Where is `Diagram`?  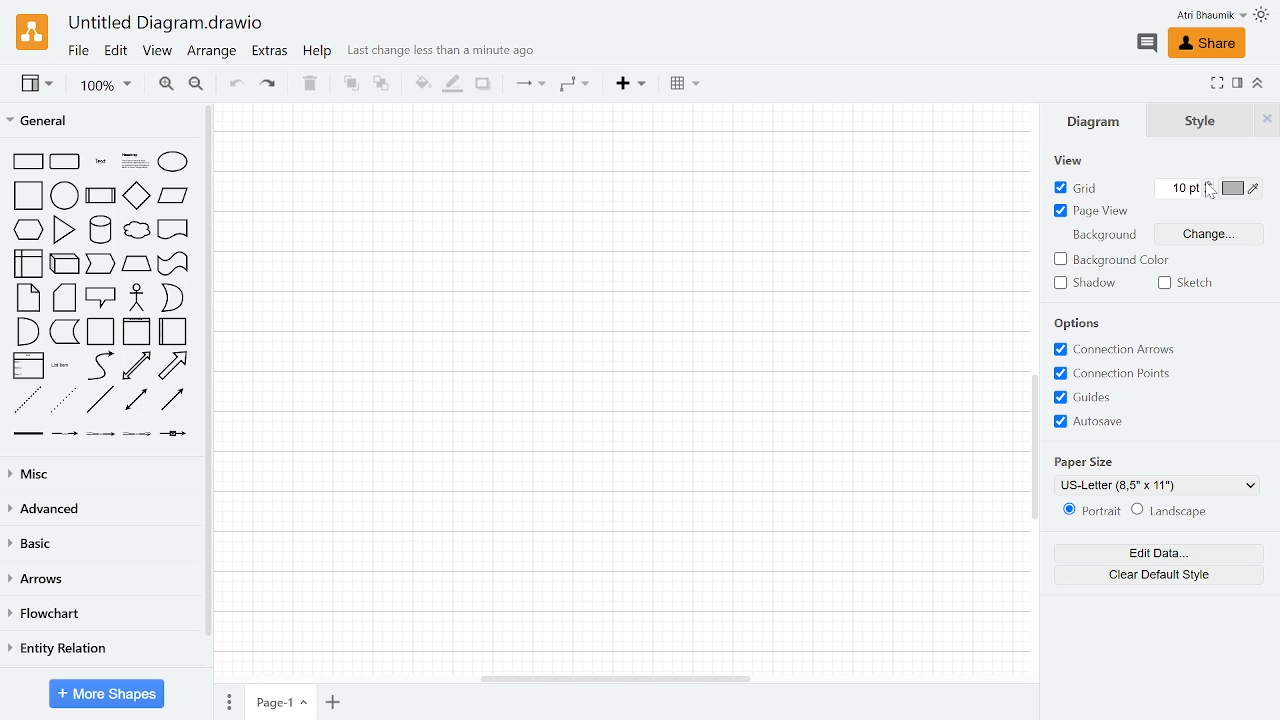
Diagram is located at coordinates (1090, 122).